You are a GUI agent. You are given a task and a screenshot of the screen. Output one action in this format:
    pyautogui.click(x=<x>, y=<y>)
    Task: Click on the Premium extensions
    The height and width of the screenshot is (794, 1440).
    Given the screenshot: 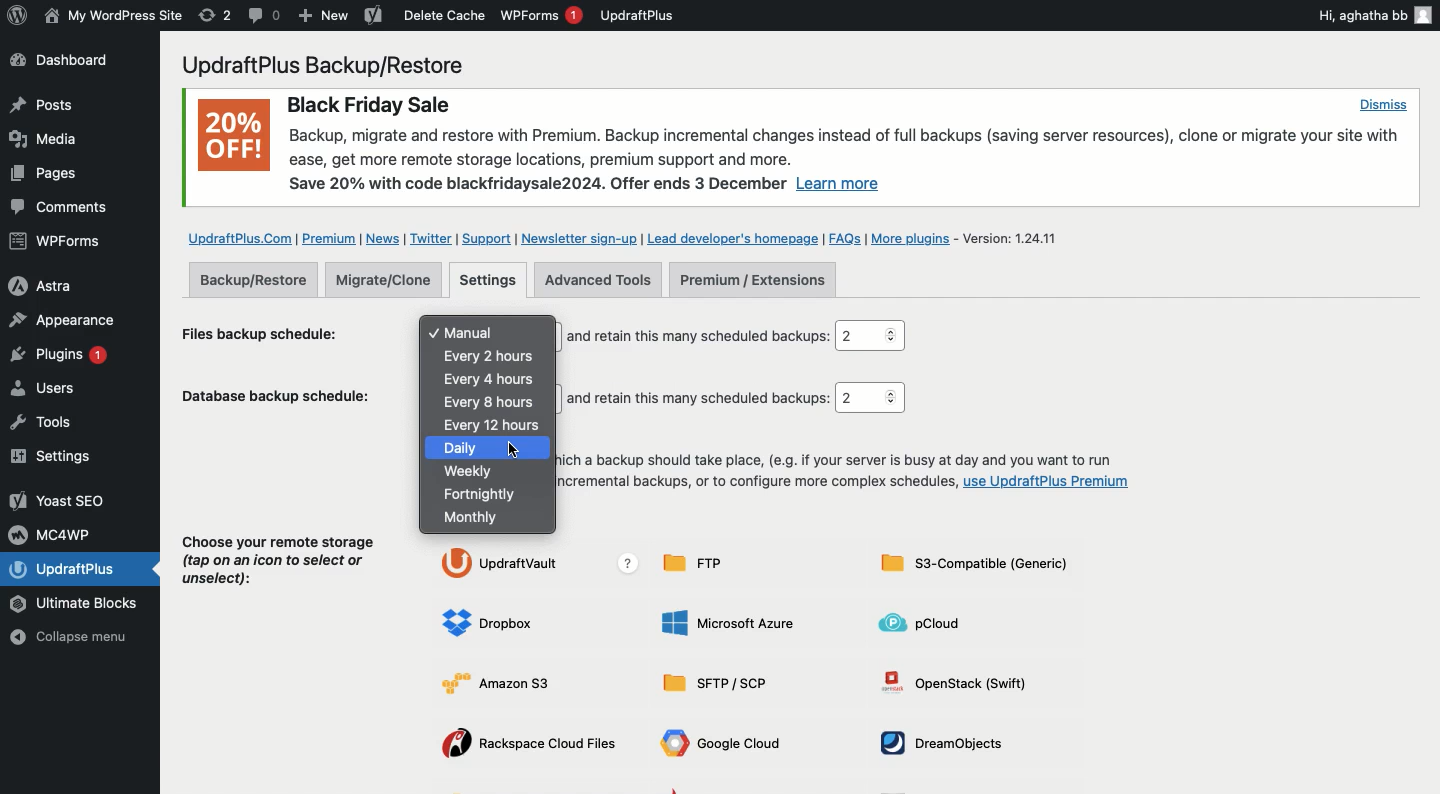 What is the action you would take?
    pyautogui.click(x=752, y=281)
    